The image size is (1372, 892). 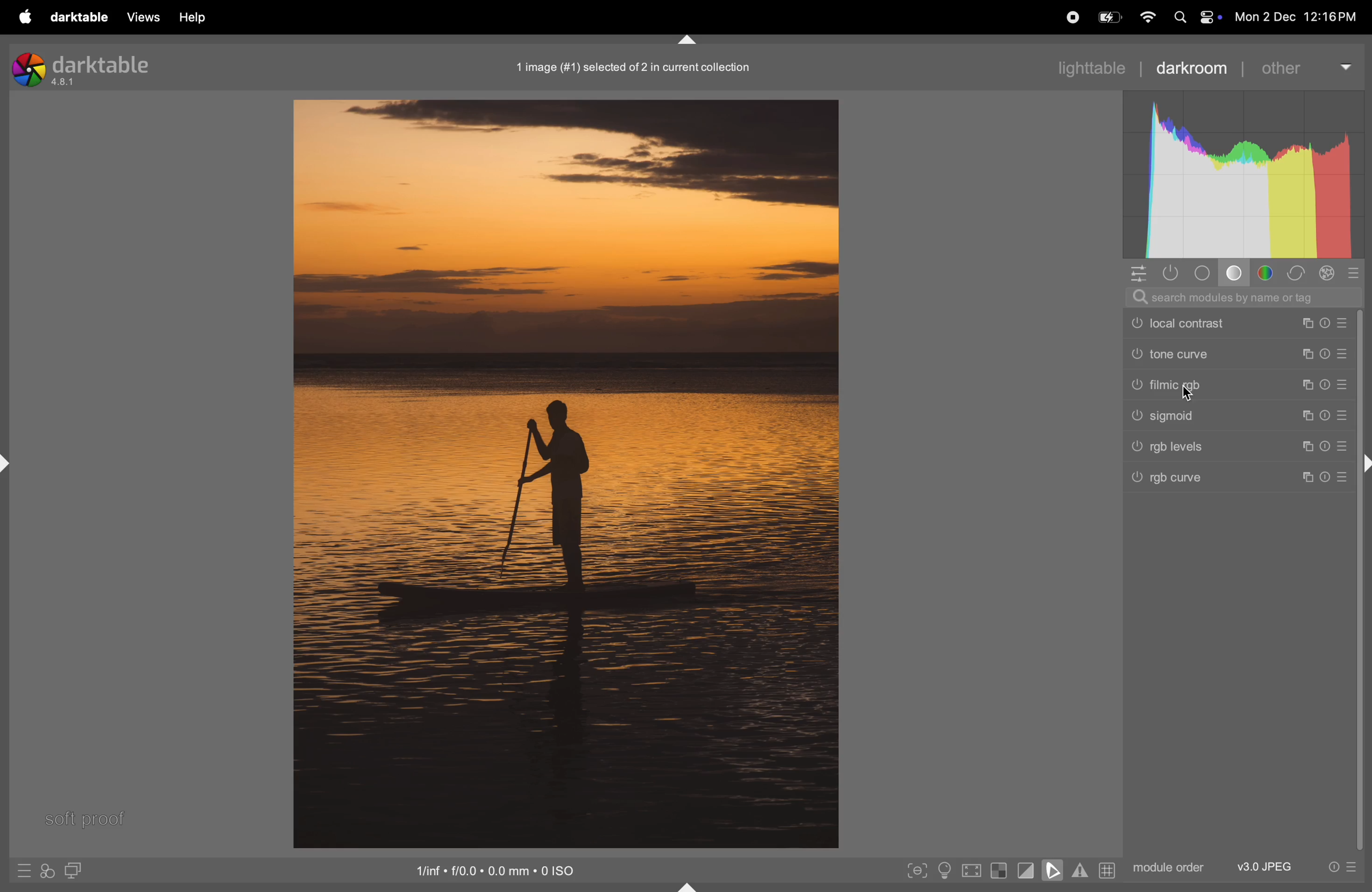 What do you see at coordinates (1243, 384) in the screenshot?
I see `filmic rgb` at bounding box center [1243, 384].